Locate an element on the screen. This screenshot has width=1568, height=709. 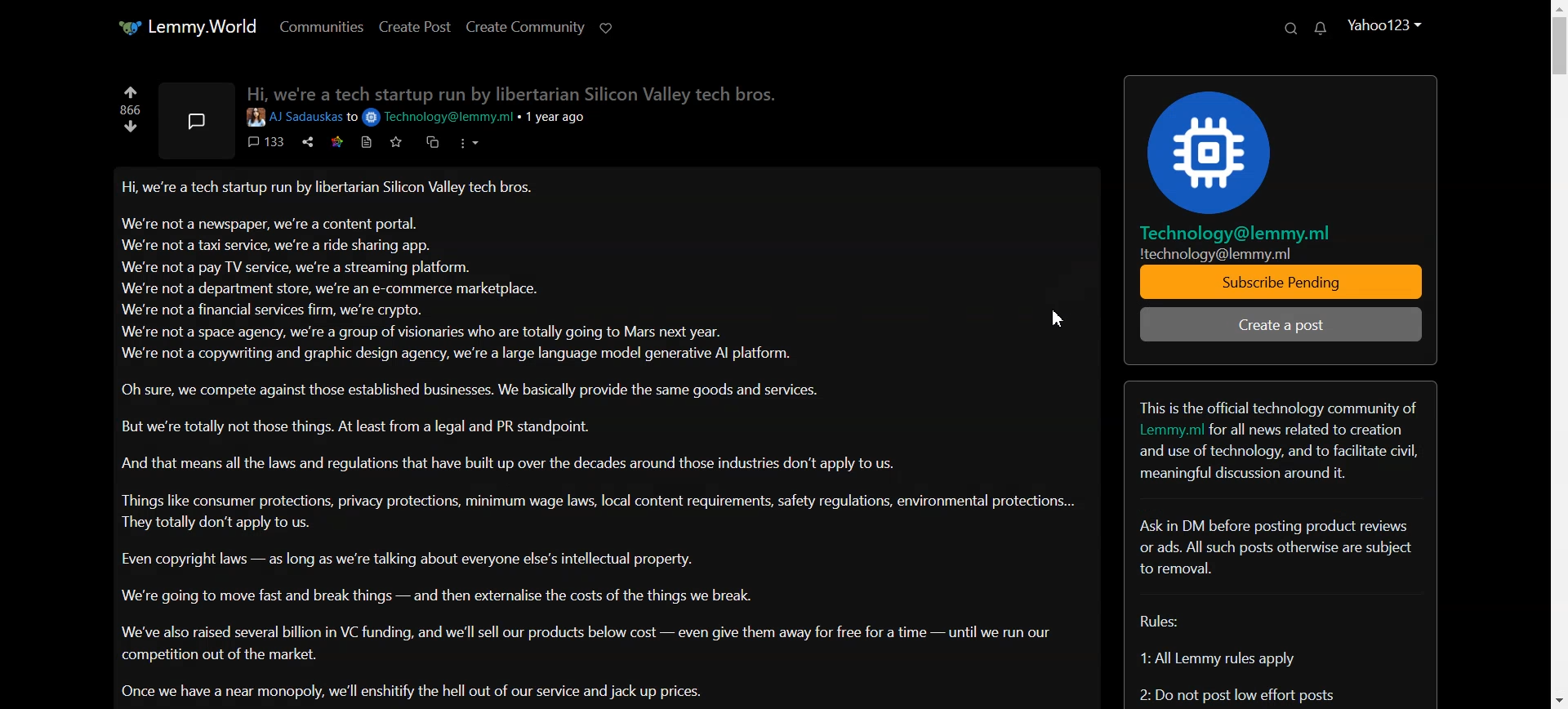
Hi, we're a tech startup run by libertarian silicon valley tech bros. is located at coordinates (510, 91).